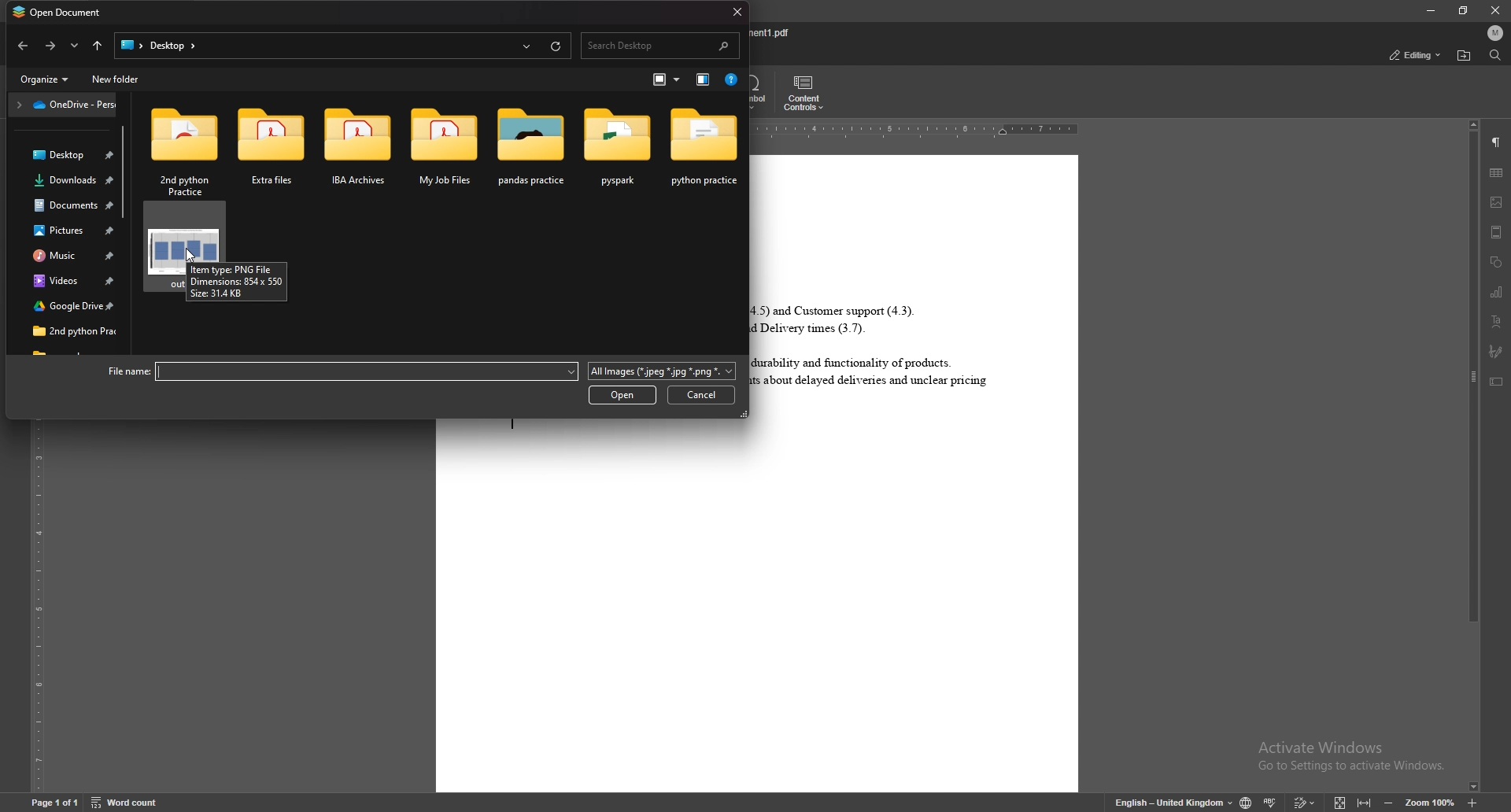 The image size is (1511, 812). What do you see at coordinates (438, 149) in the screenshot?
I see `folder` at bounding box center [438, 149].